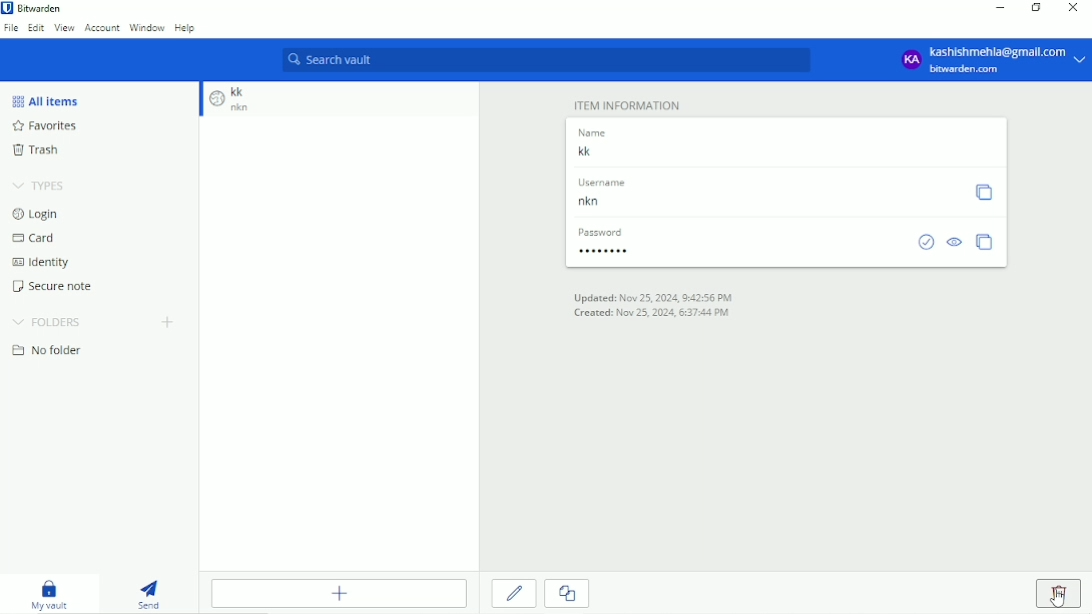  I want to click on logo, so click(217, 102).